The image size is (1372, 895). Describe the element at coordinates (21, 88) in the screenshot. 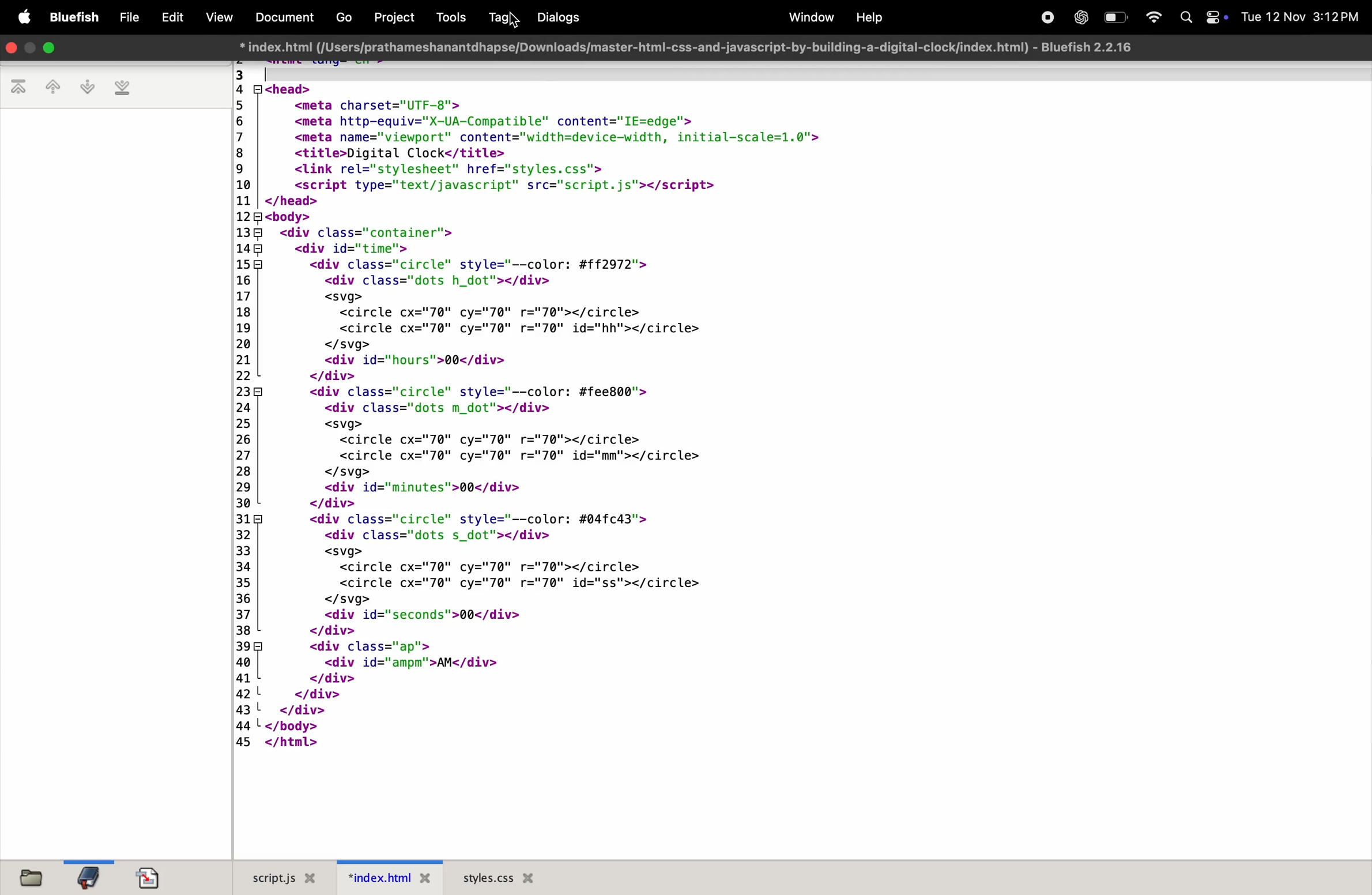

I see `first book mark` at that location.